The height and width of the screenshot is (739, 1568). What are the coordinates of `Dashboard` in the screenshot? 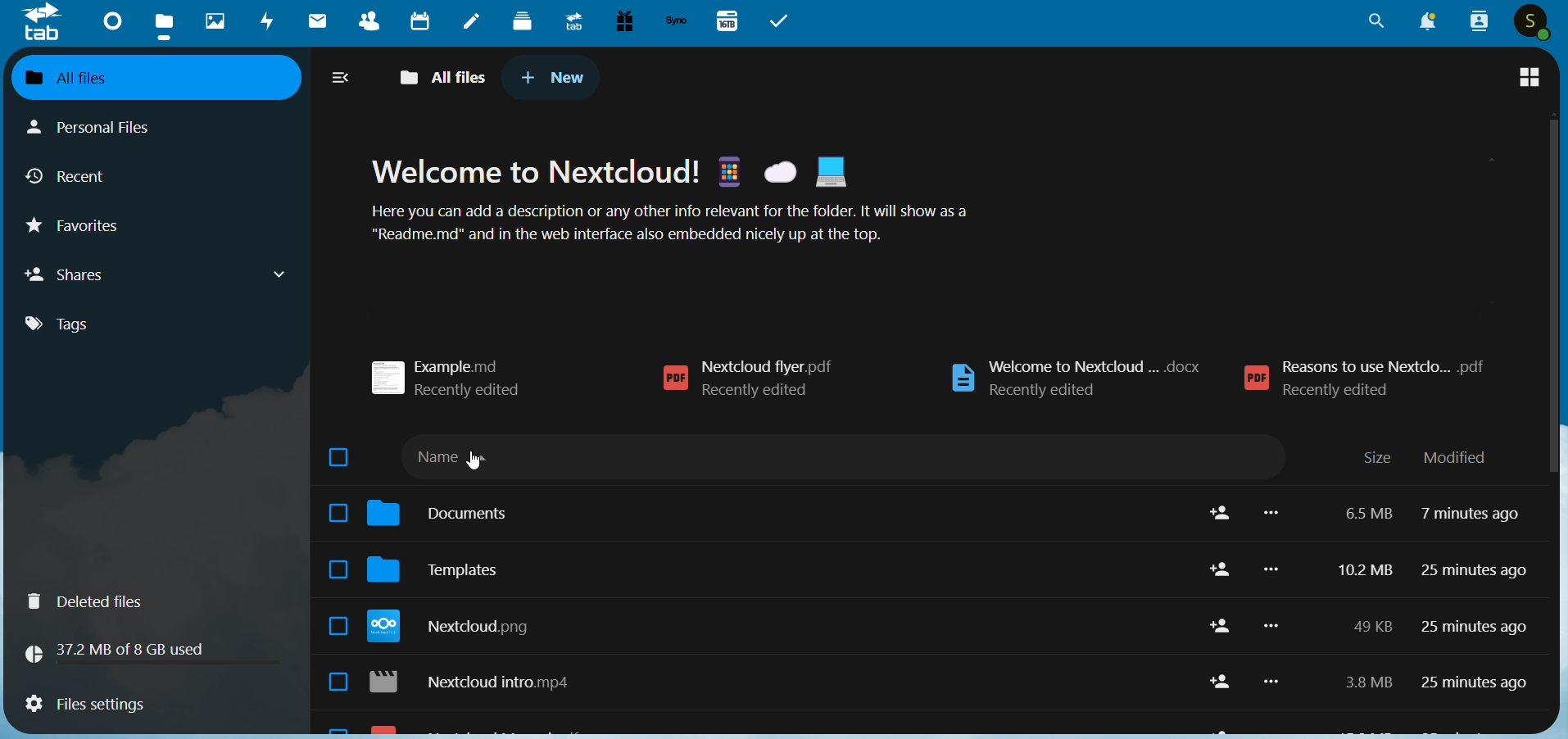 It's located at (112, 21).